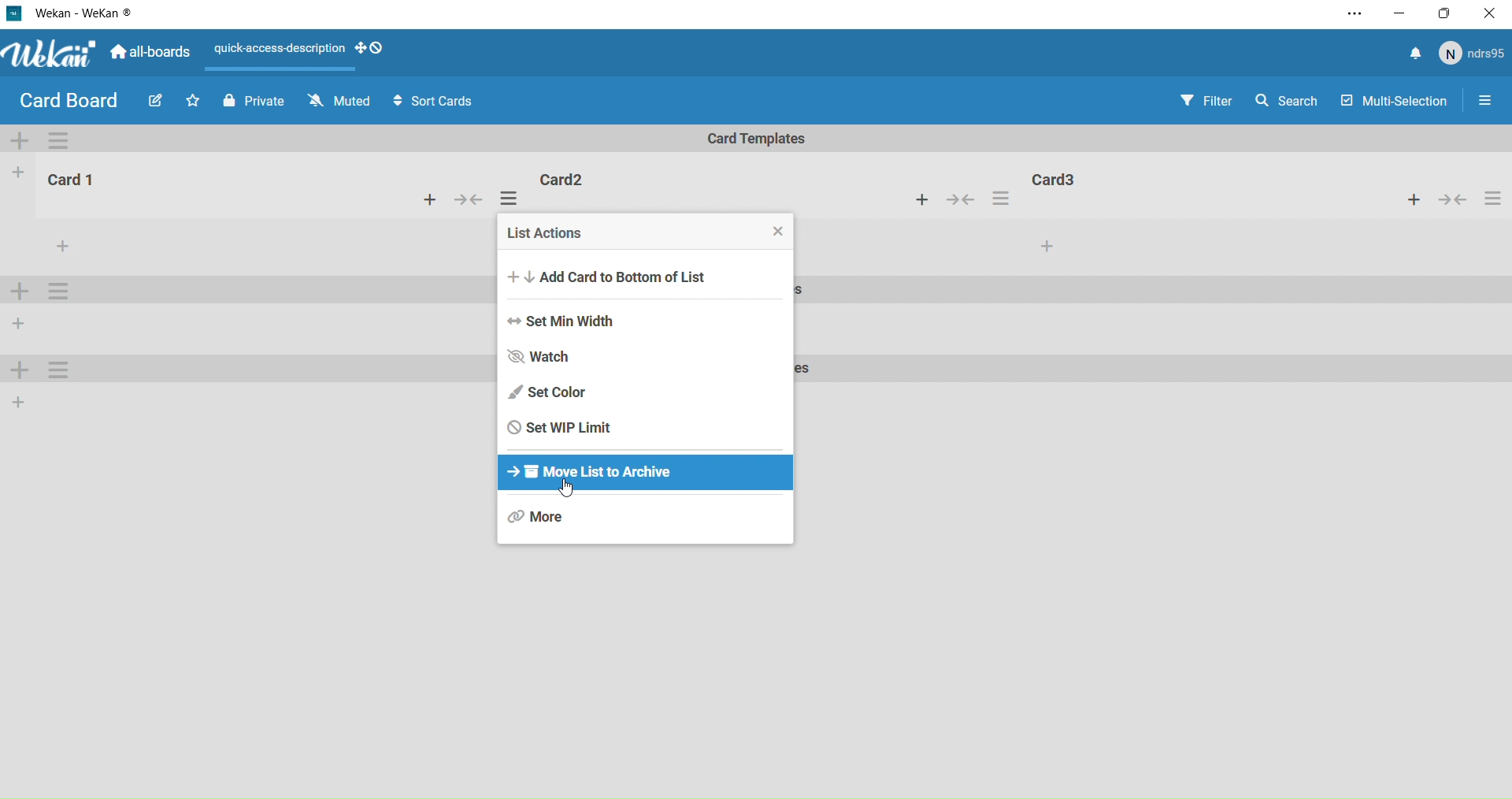  I want to click on add, so click(16, 173).